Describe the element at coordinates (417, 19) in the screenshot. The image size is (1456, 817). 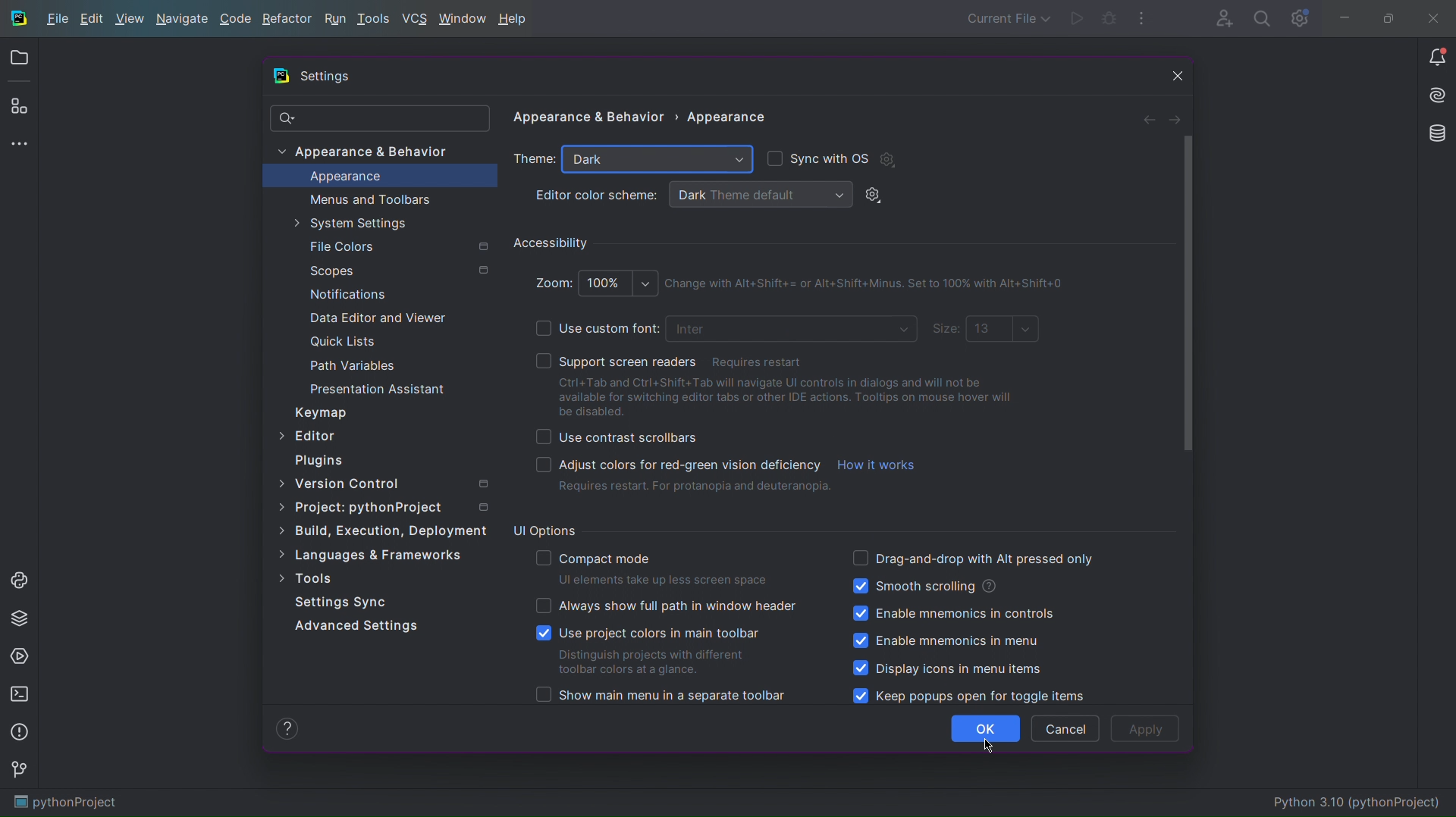
I see `VCS` at that location.